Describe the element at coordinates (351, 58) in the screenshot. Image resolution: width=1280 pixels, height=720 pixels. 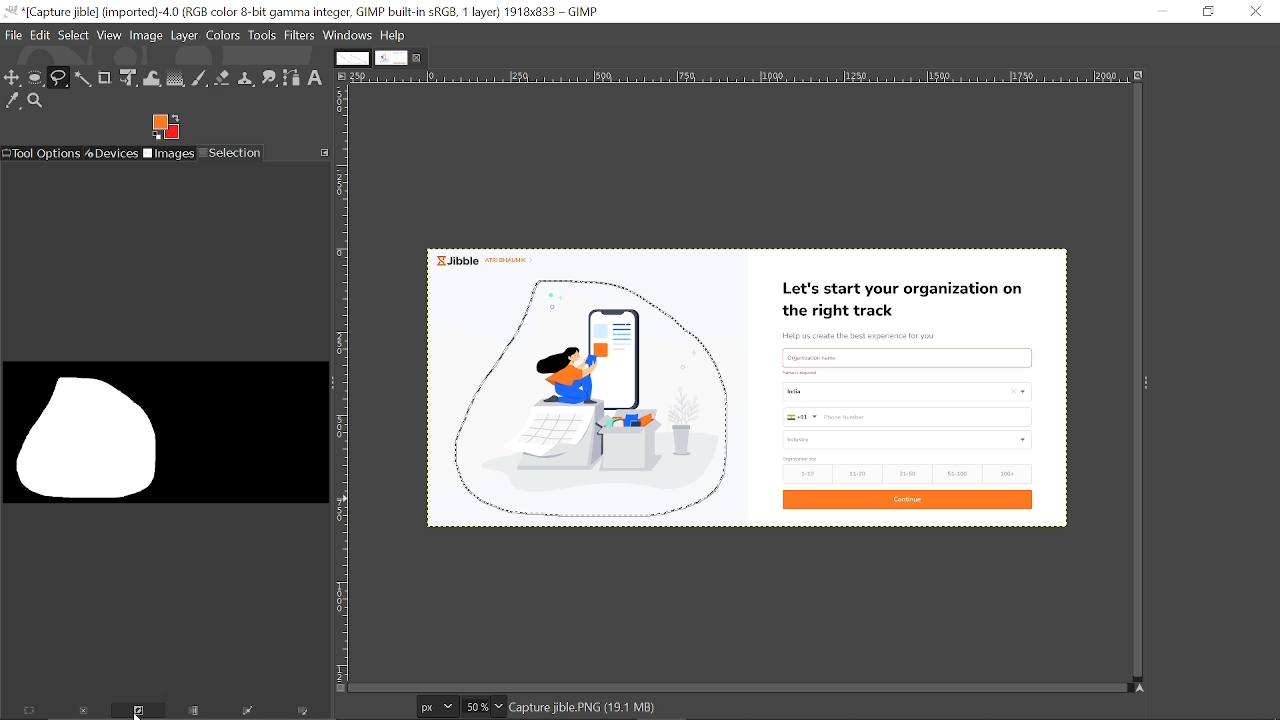
I see `Other tab` at that location.